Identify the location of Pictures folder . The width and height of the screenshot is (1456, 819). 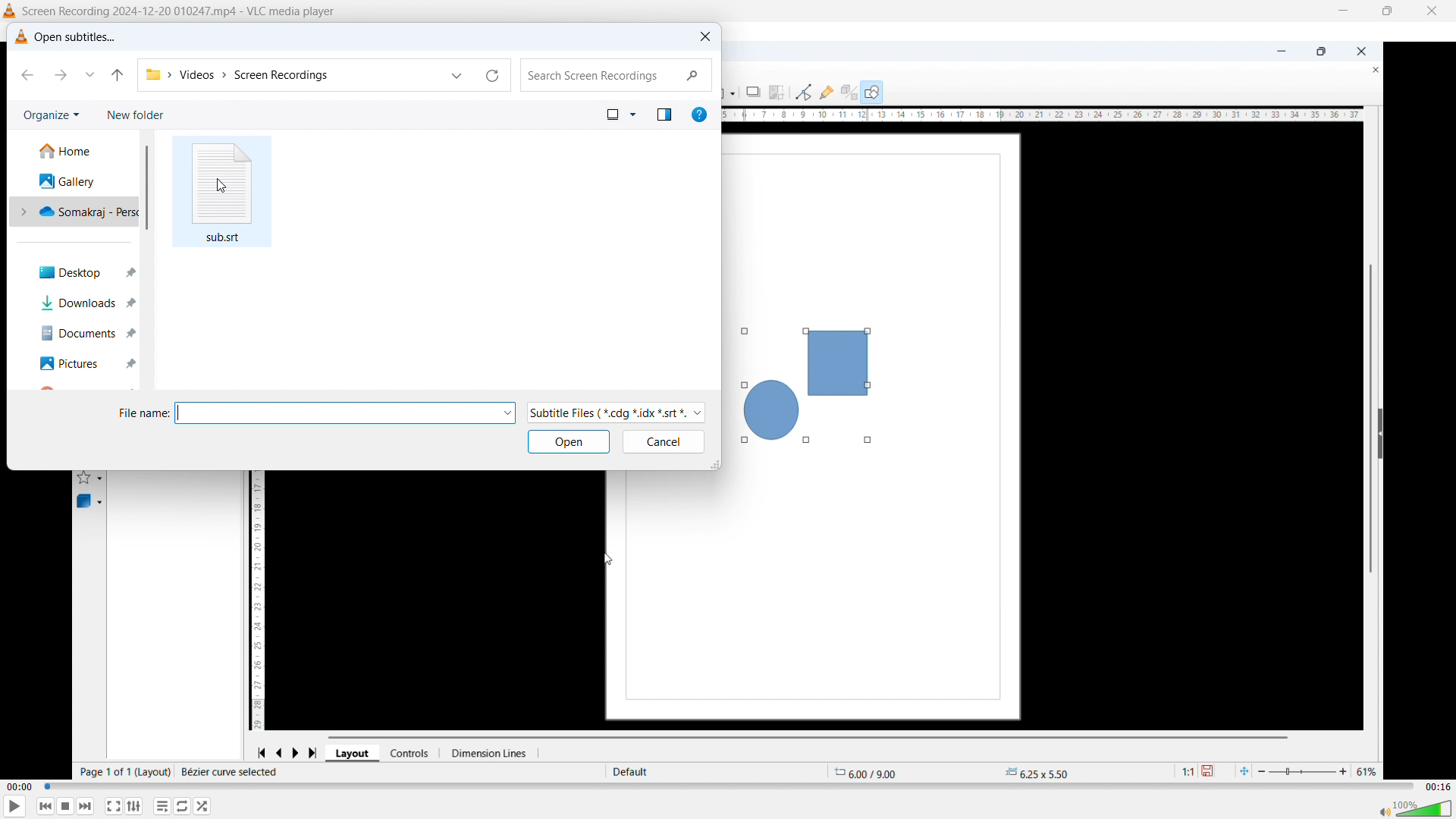
(83, 363).